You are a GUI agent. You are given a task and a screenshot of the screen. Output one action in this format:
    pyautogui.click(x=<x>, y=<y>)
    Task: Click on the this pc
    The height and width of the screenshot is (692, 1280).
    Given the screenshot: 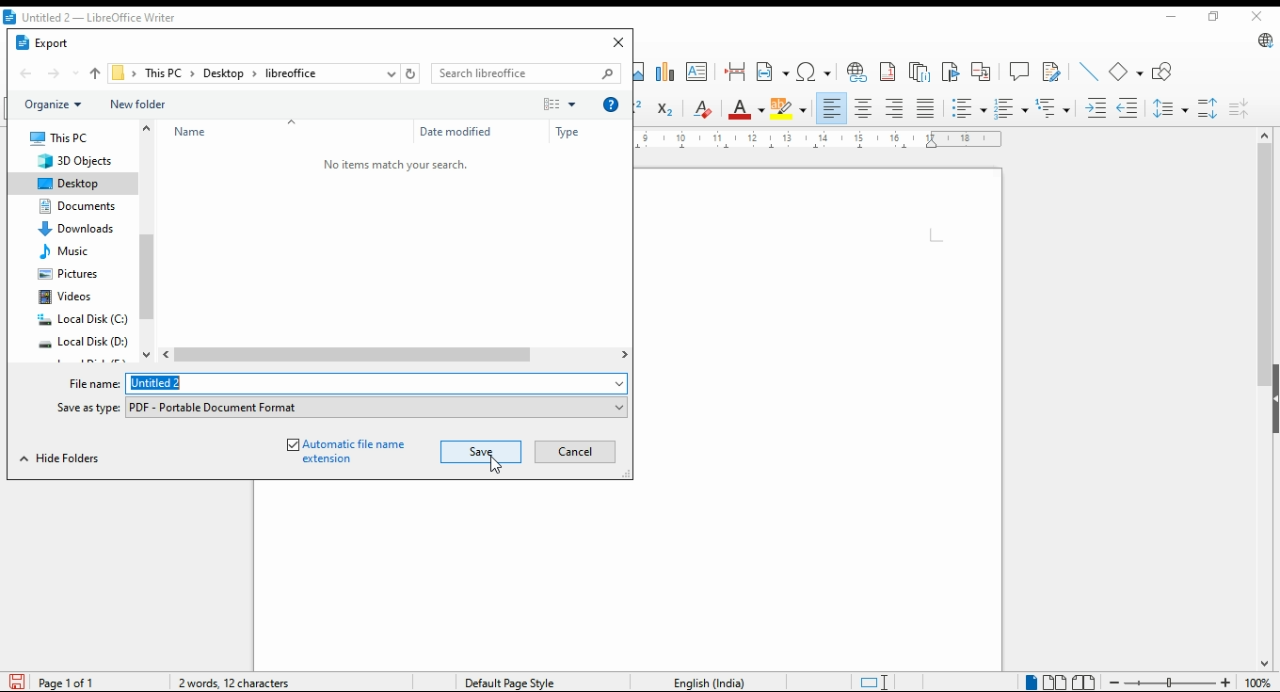 What is the action you would take?
    pyautogui.click(x=166, y=74)
    